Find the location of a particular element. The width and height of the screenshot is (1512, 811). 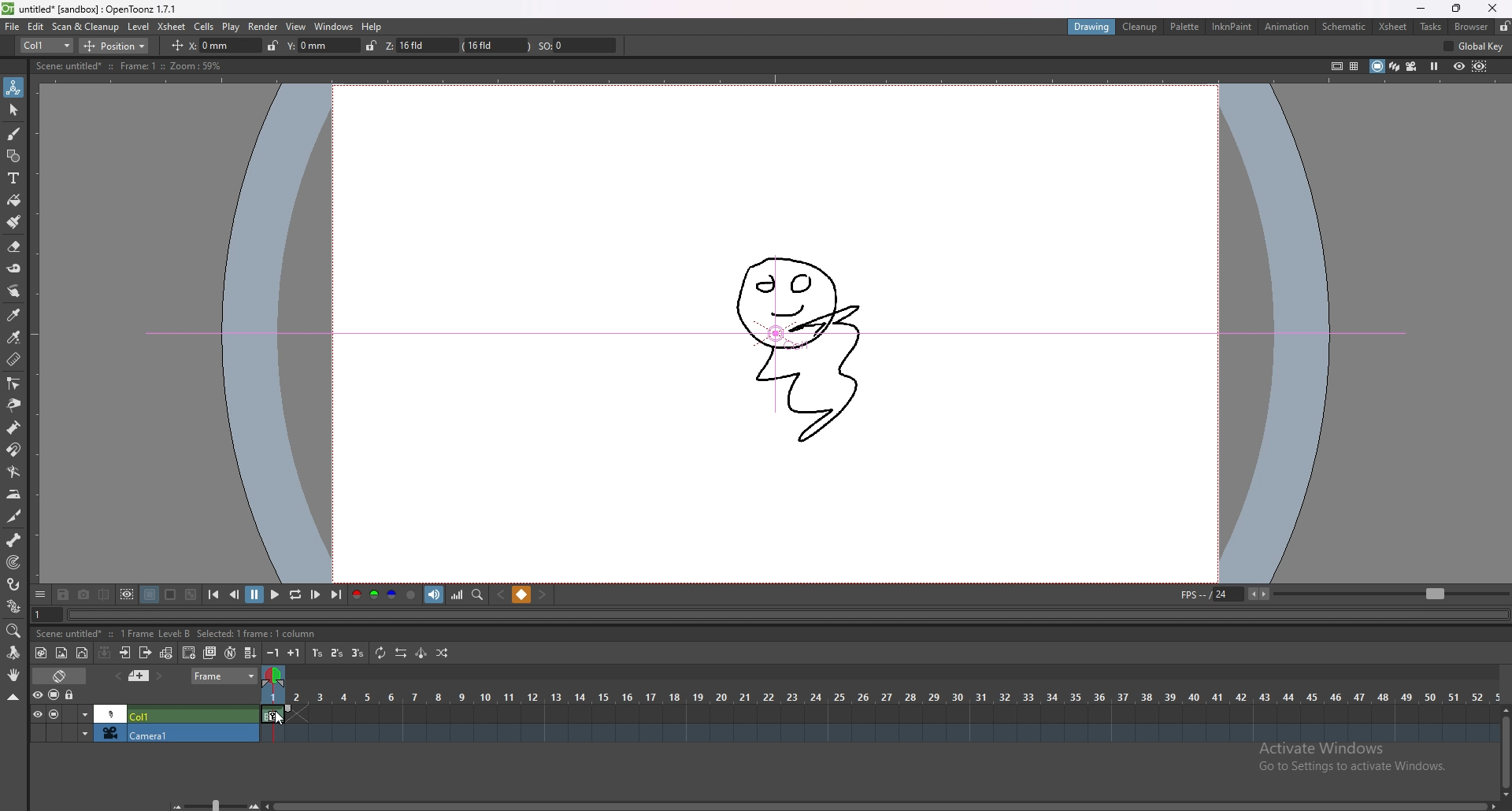

blue channel is located at coordinates (391, 594).